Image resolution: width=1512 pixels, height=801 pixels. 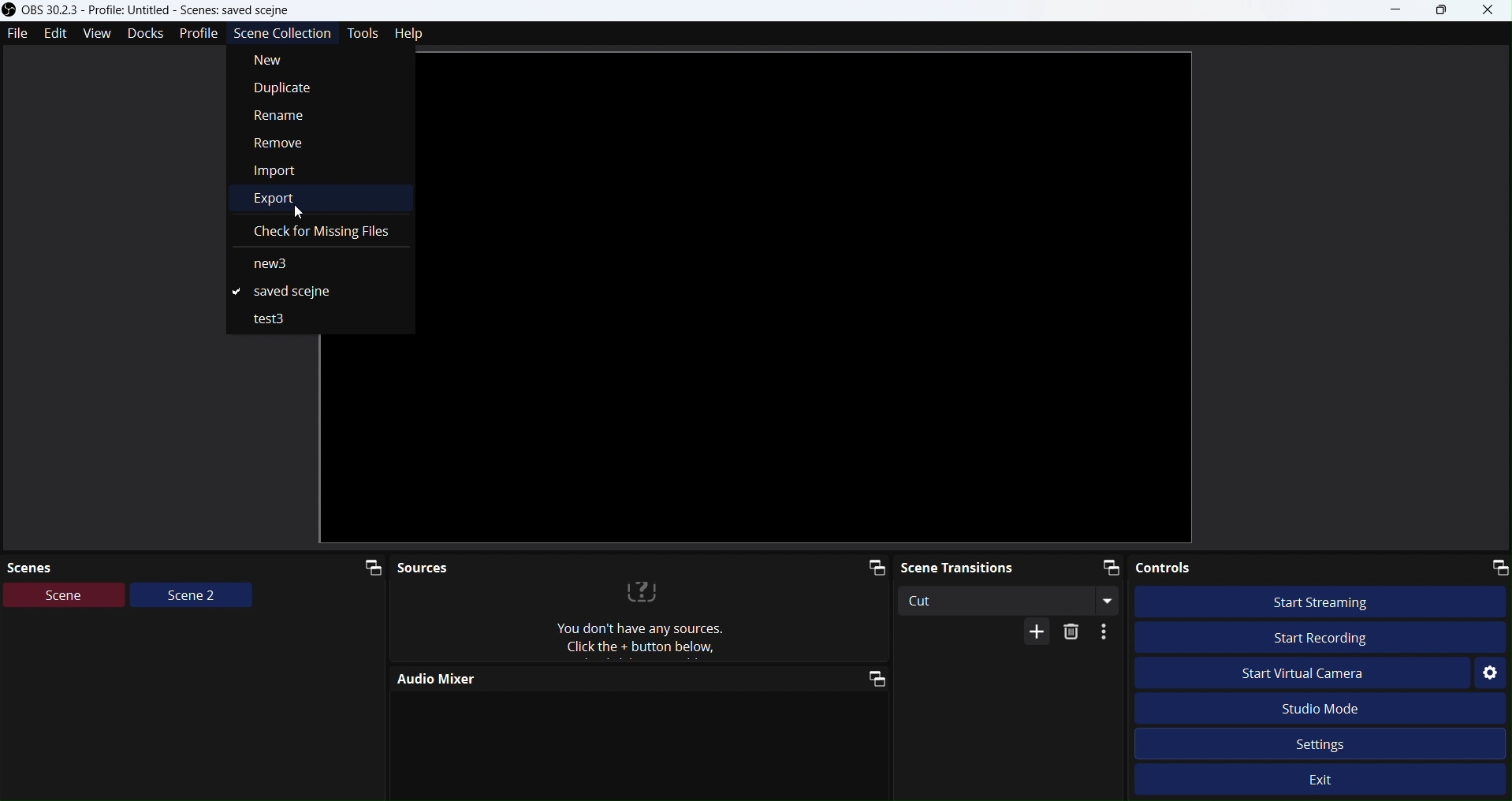 I want to click on Box, so click(x=1445, y=13).